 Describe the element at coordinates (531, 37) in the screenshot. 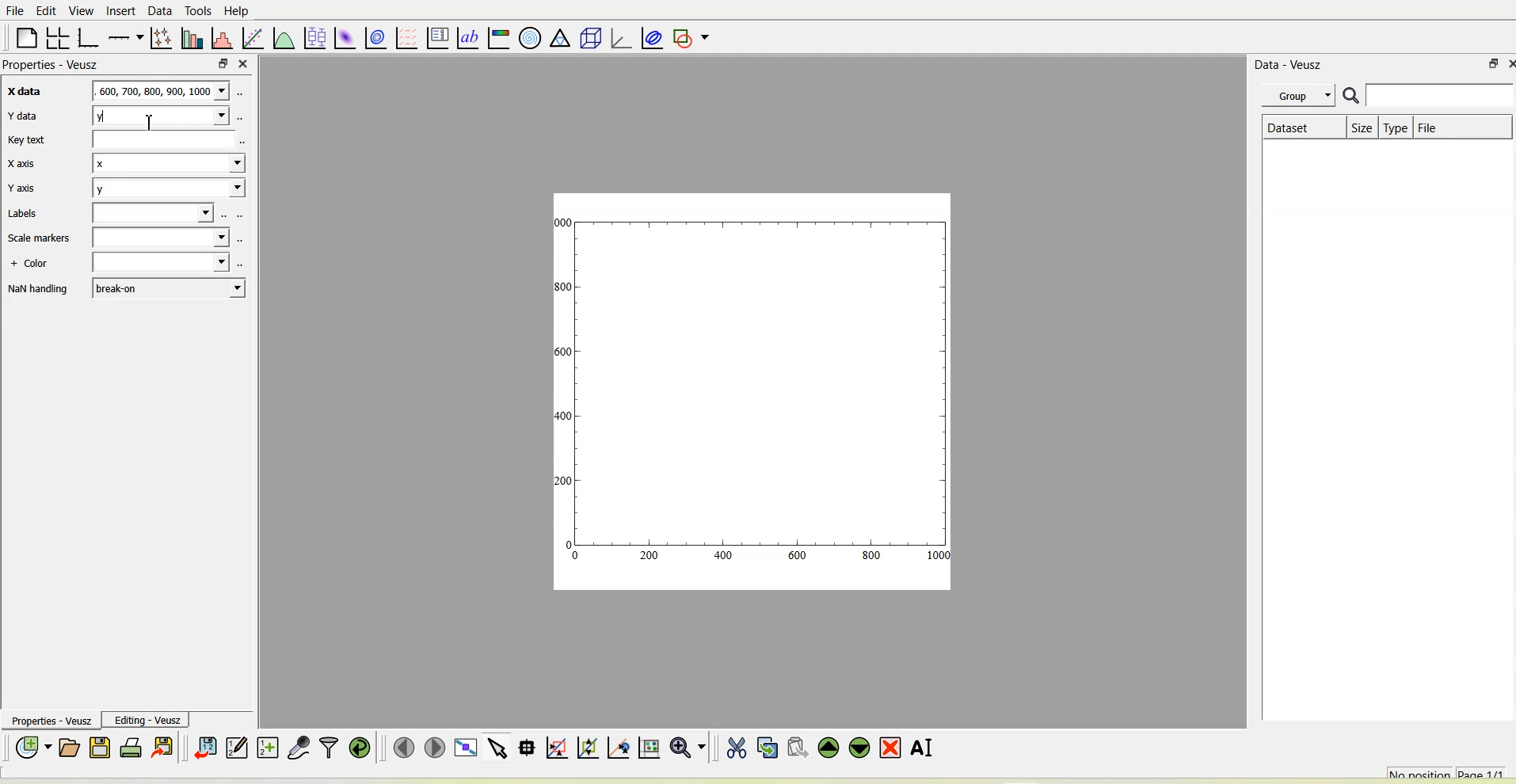

I see `Polar graph` at that location.